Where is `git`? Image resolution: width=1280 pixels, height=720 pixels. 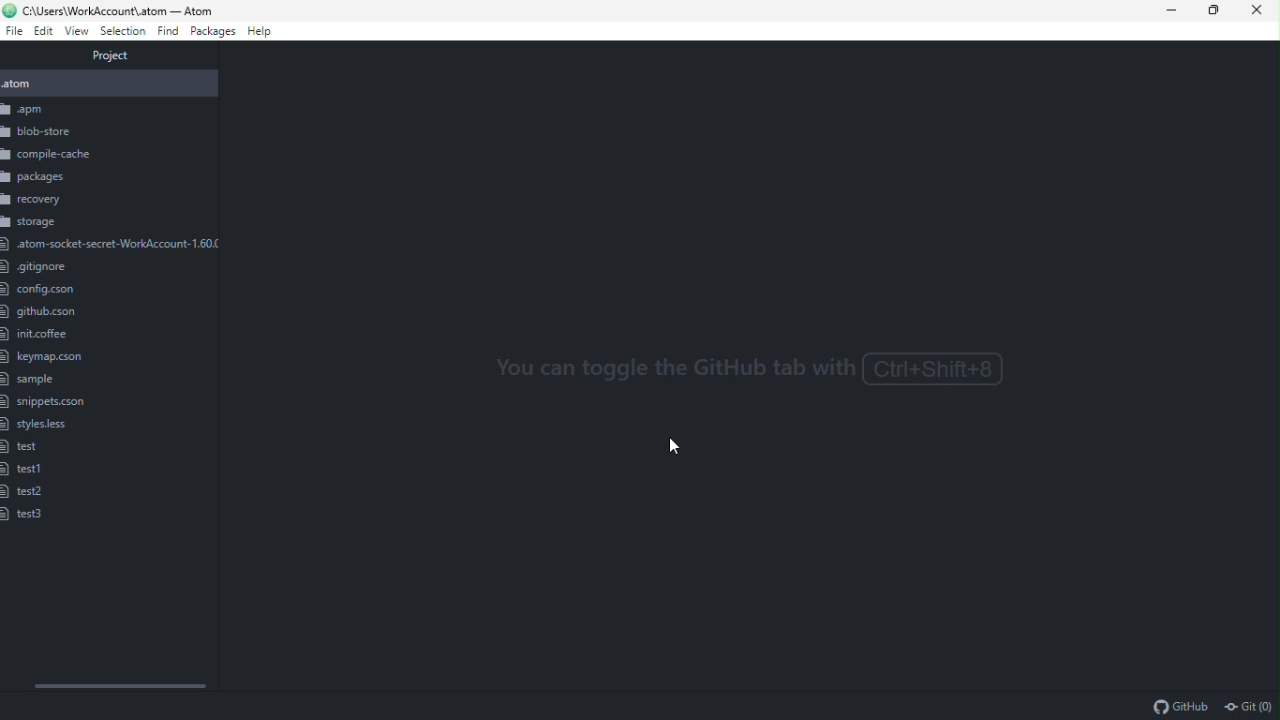 git is located at coordinates (1249, 706).